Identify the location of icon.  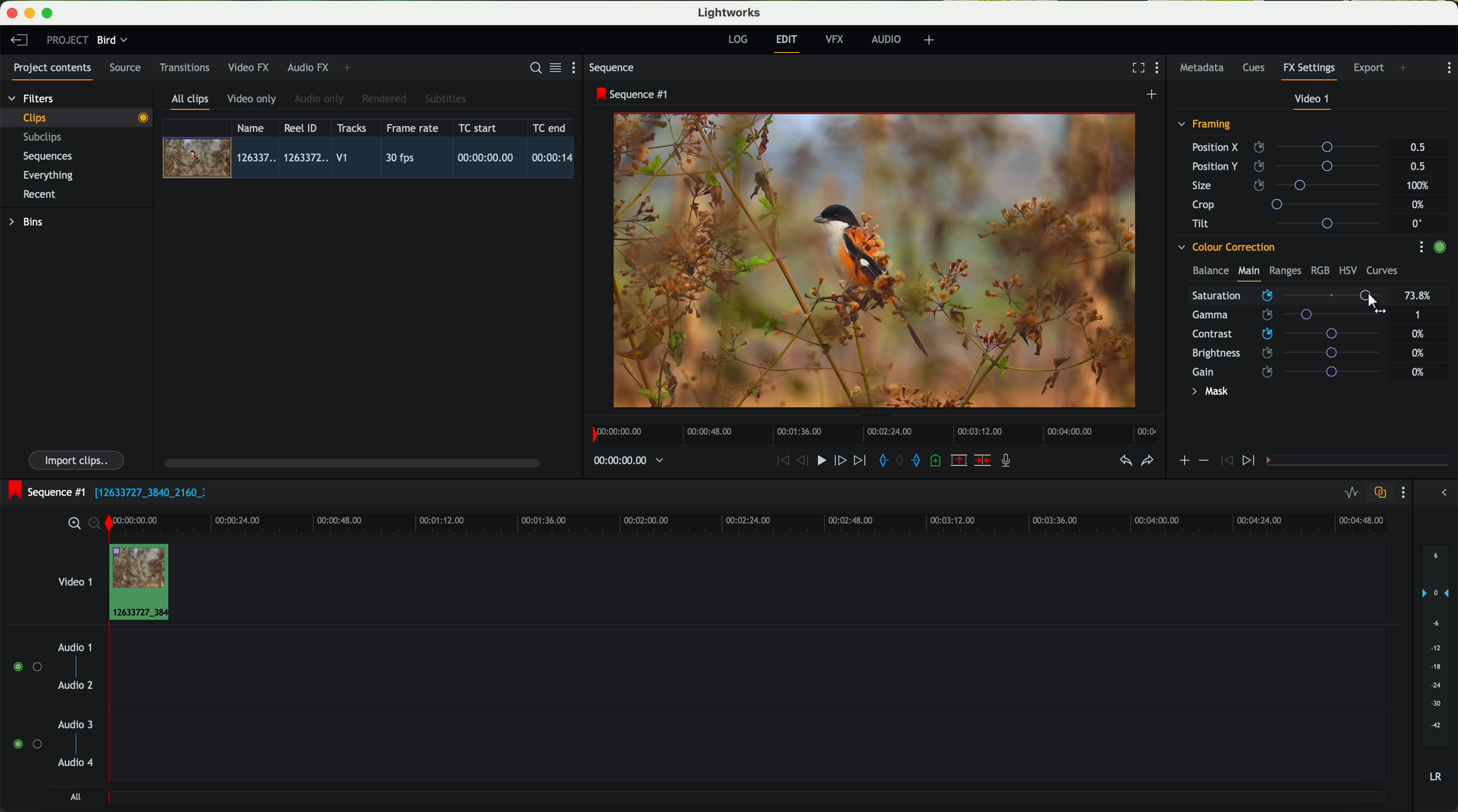
(1183, 462).